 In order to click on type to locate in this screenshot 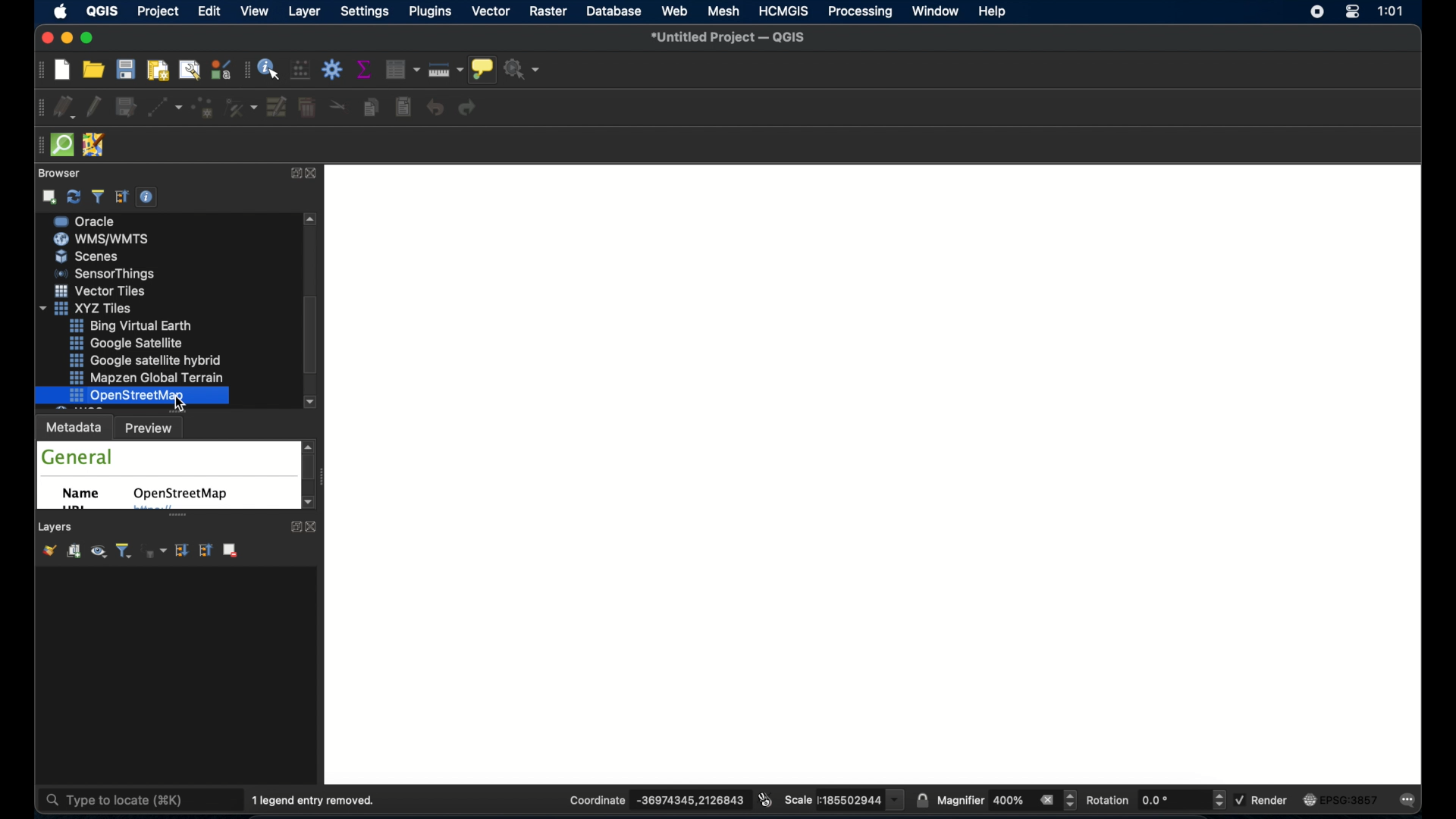, I will do `click(123, 801)`.